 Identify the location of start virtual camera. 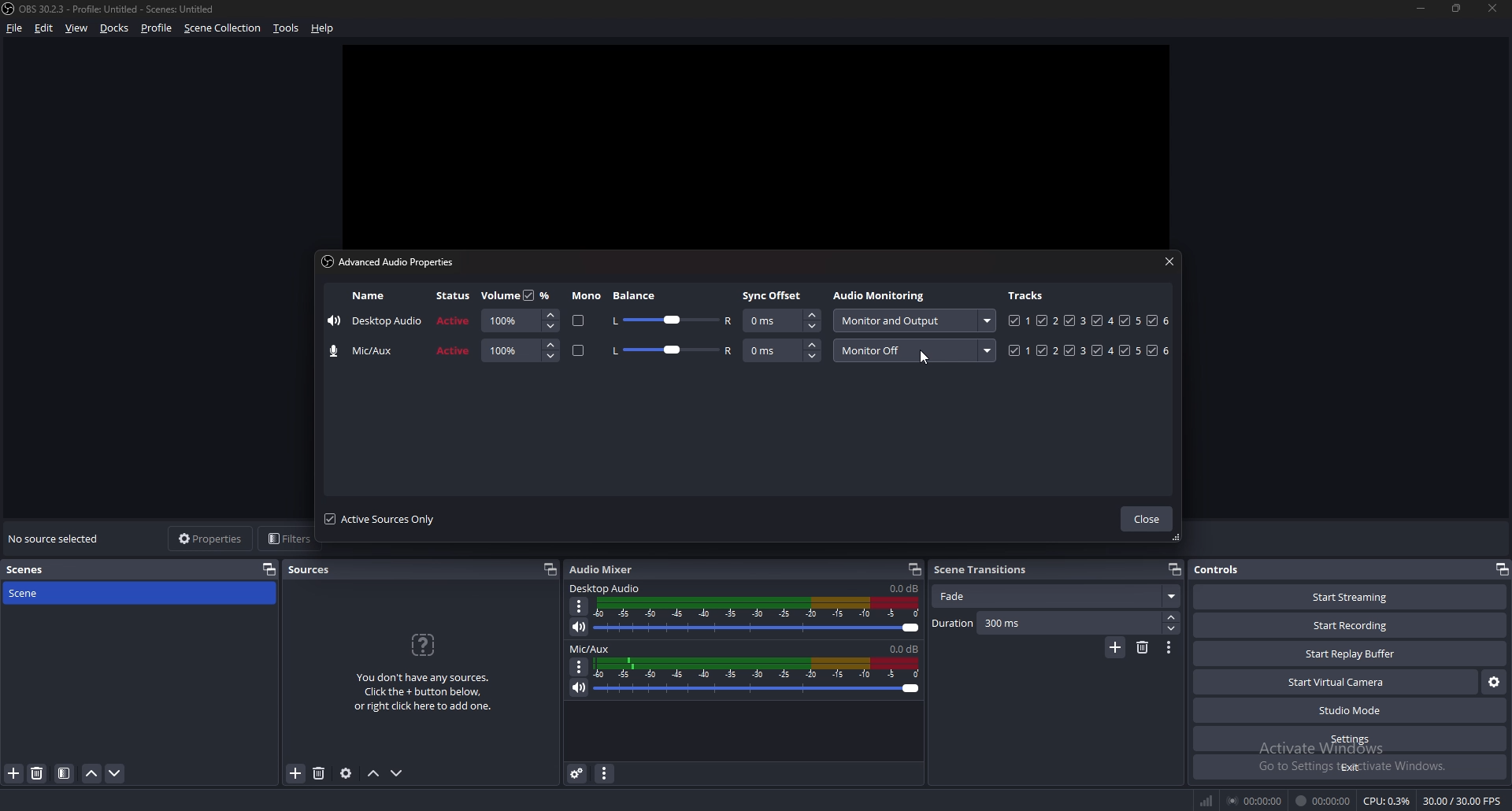
(1336, 683).